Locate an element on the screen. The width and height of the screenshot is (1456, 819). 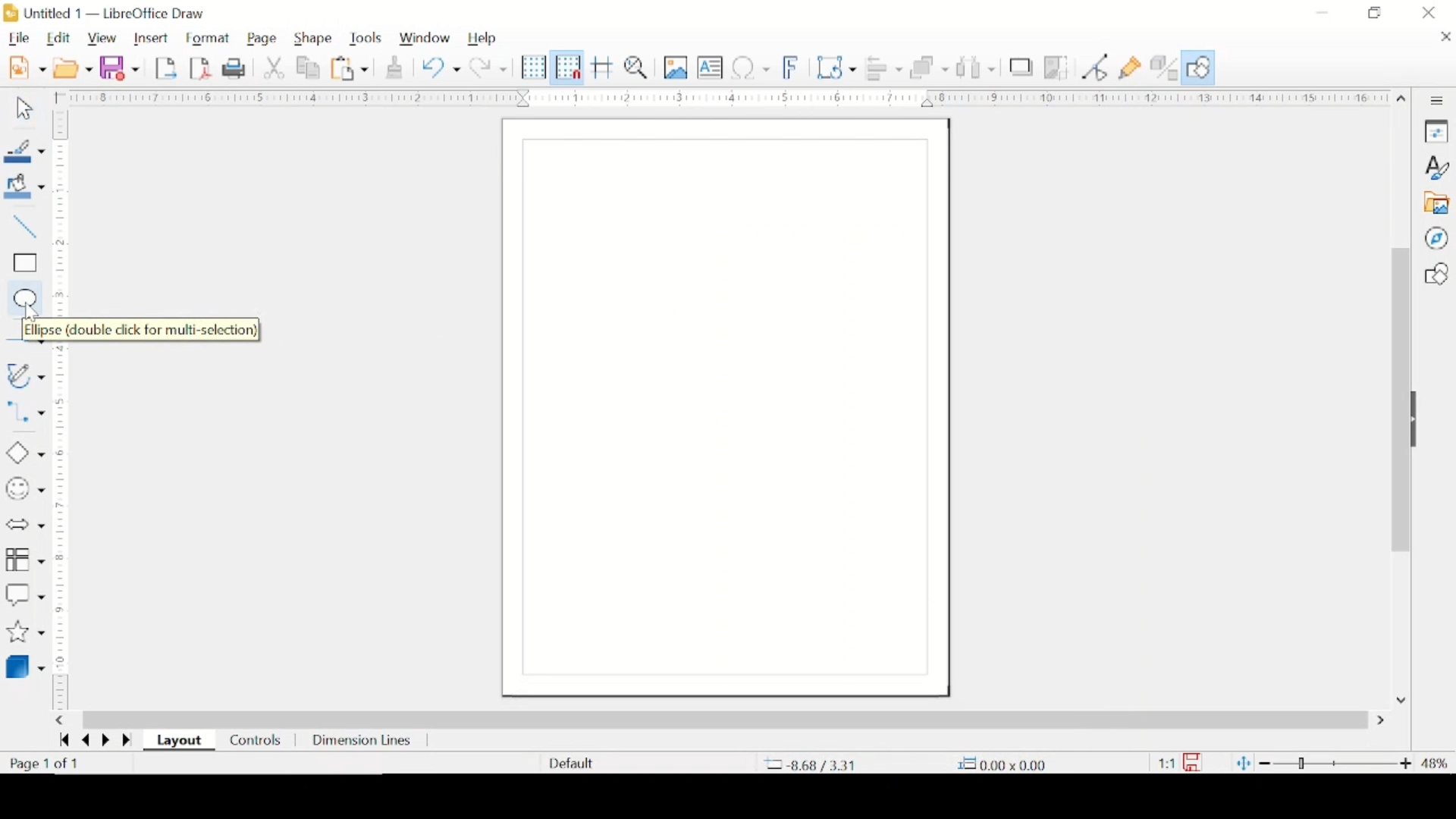
undo is located at coordinates (441, 67).